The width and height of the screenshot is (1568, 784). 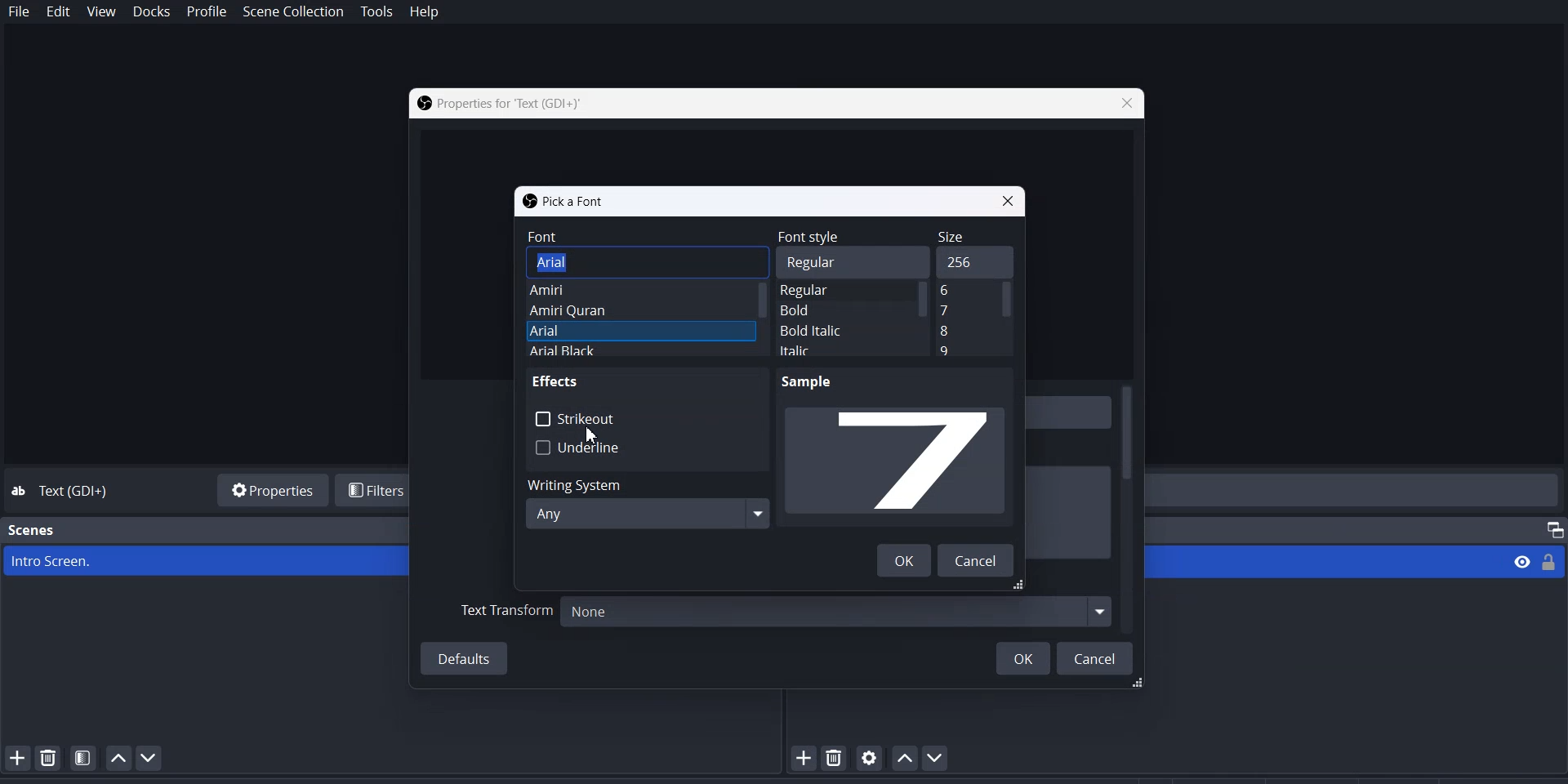 What do you see at coordinates (102, 12) in the screenshot?
I see `View` at bounding box center [102, 12].